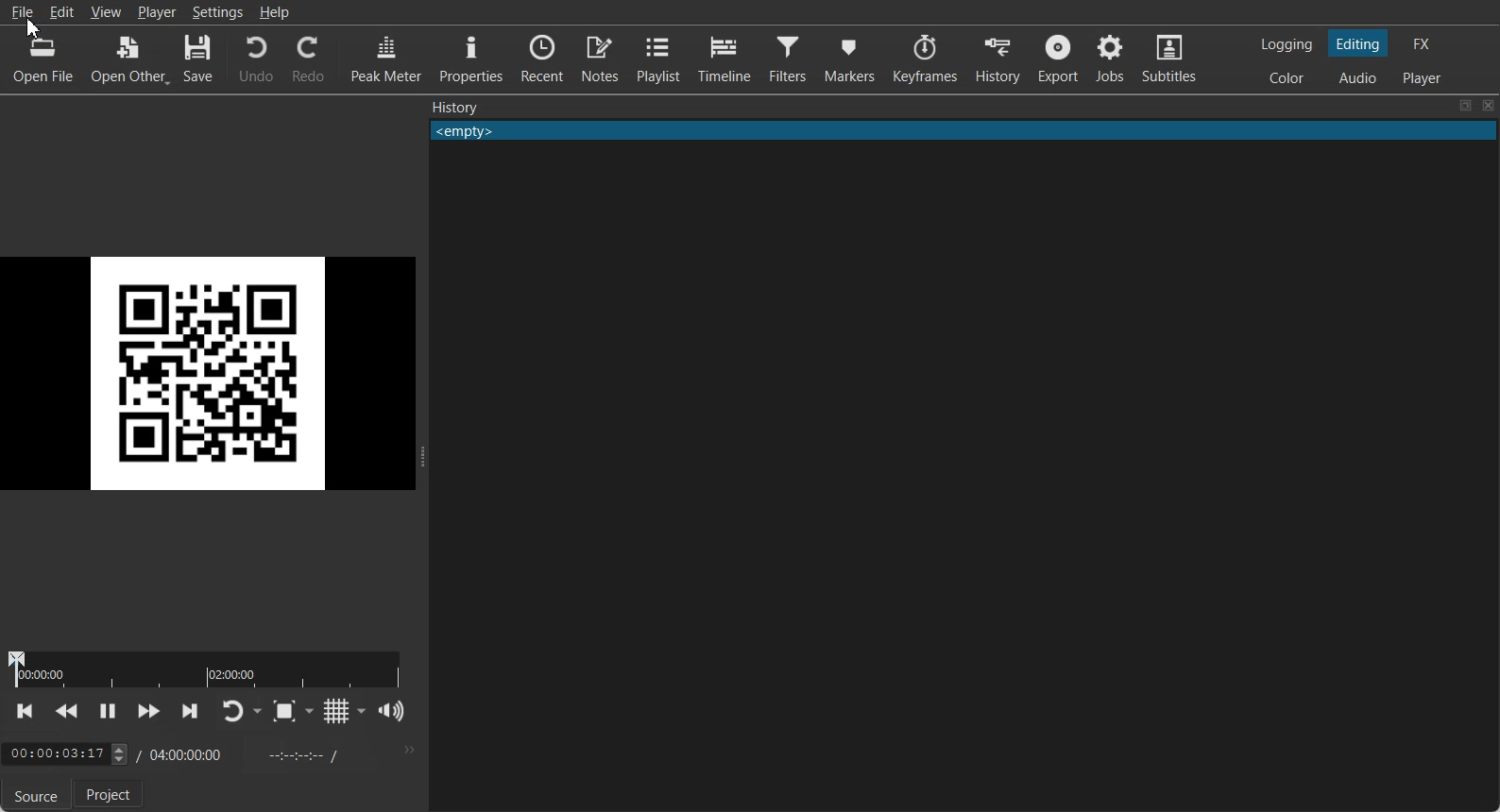 The height and width of the screenshot is (812, 1500). Describe the element at coordinates (455, 107) in the screenshot. I see `Text` at that location.